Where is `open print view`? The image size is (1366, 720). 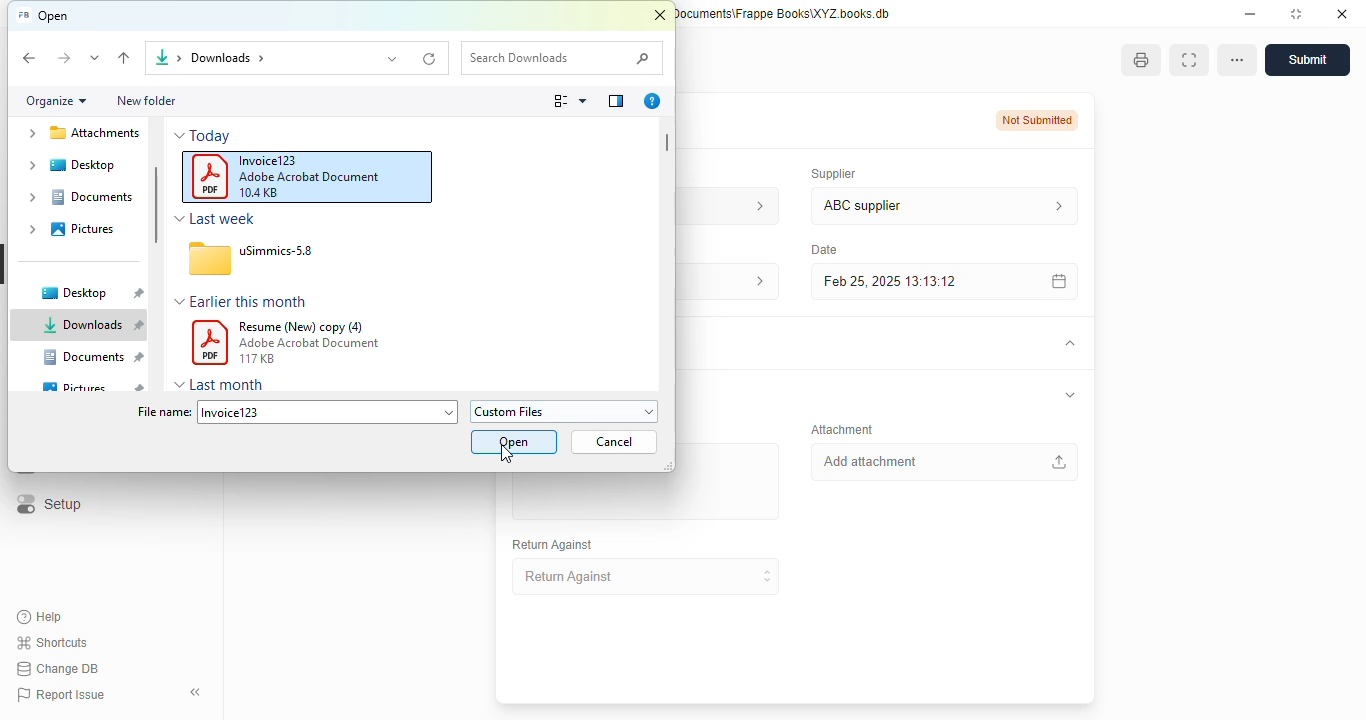
open print view is located at coordinates (1141, 60).